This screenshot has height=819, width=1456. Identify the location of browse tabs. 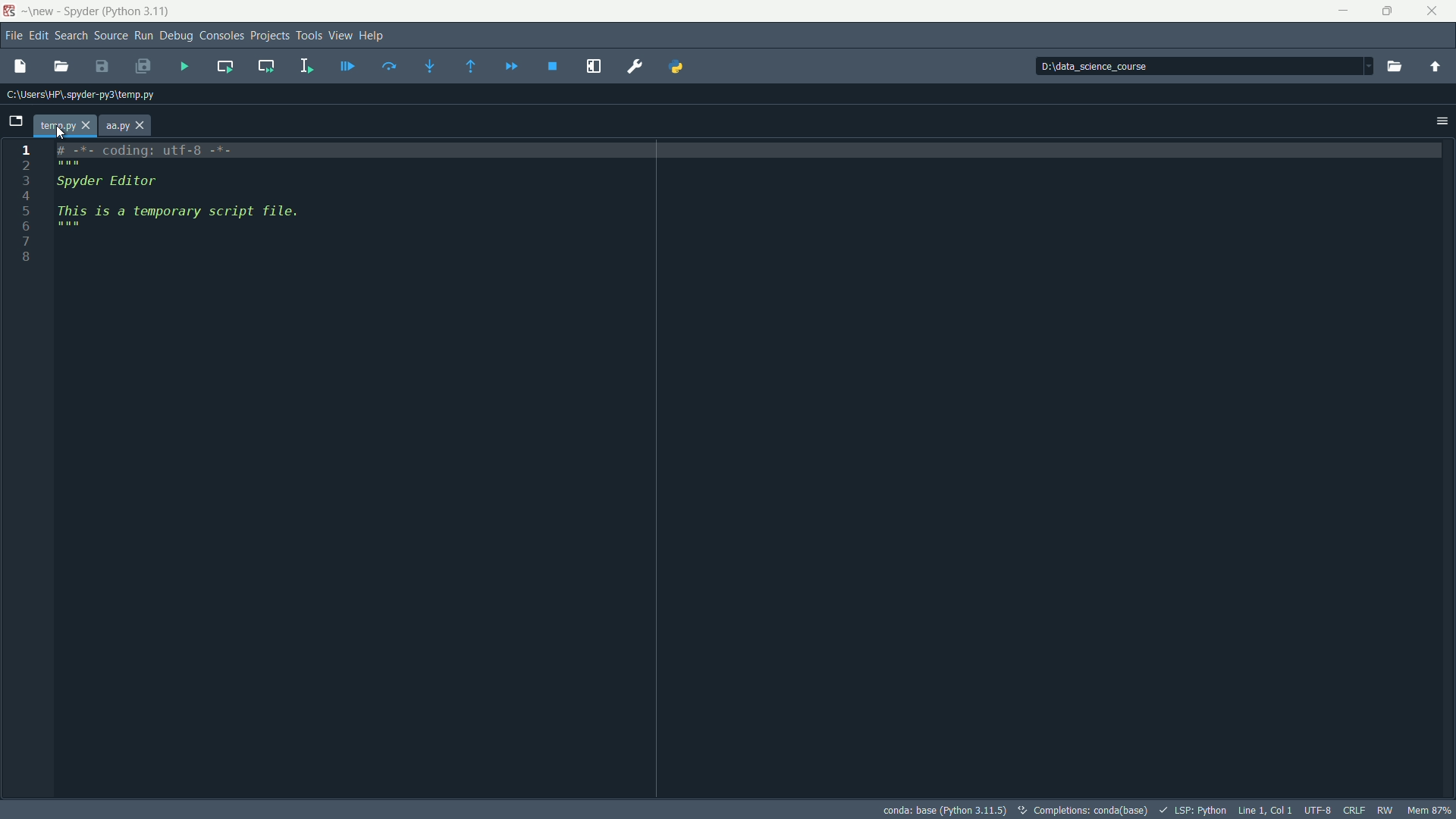
(15, 119).